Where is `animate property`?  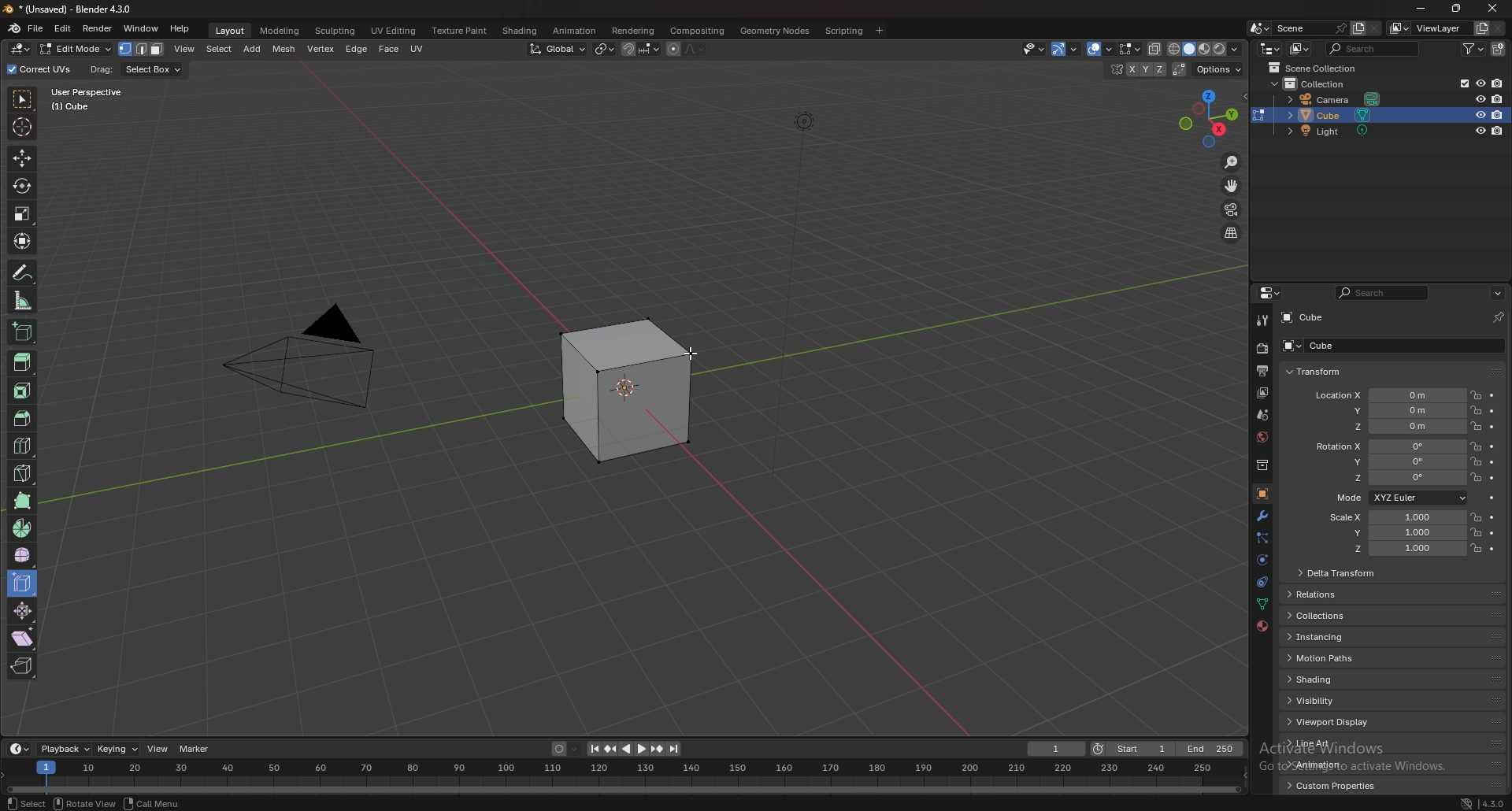 animate property is located at coordinates (1492, 427).